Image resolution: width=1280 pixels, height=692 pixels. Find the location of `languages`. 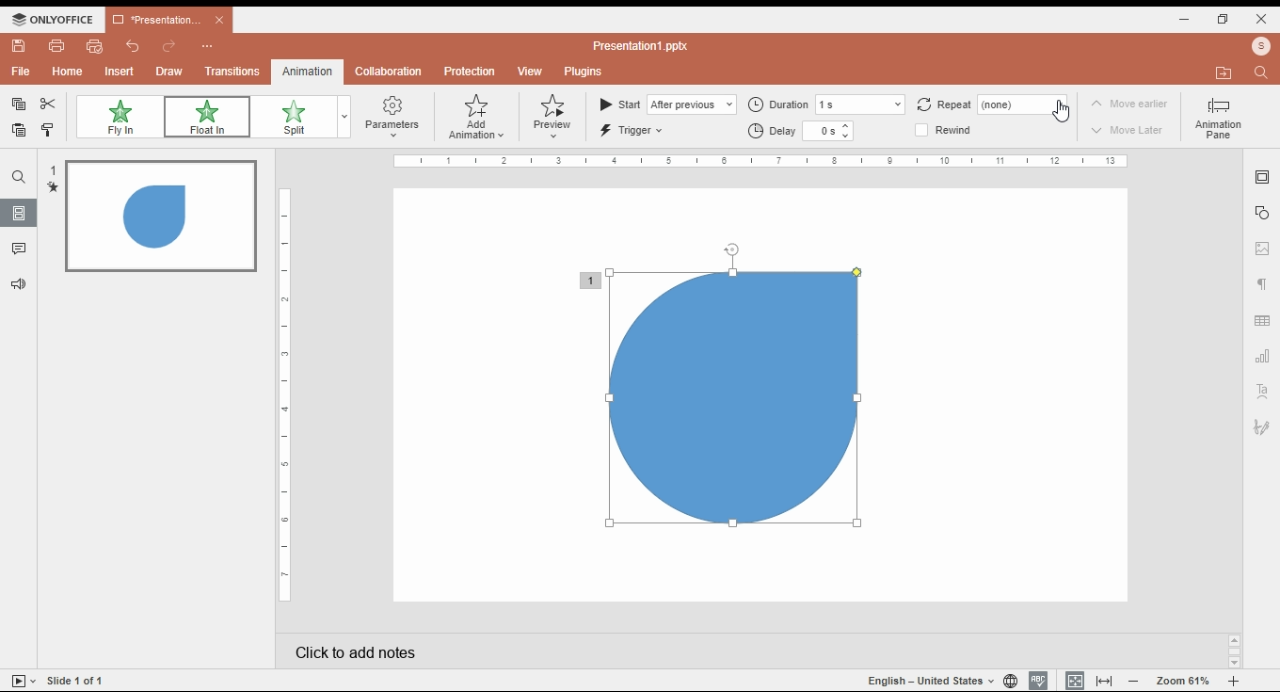

languages is located at coordinates (931, 680).